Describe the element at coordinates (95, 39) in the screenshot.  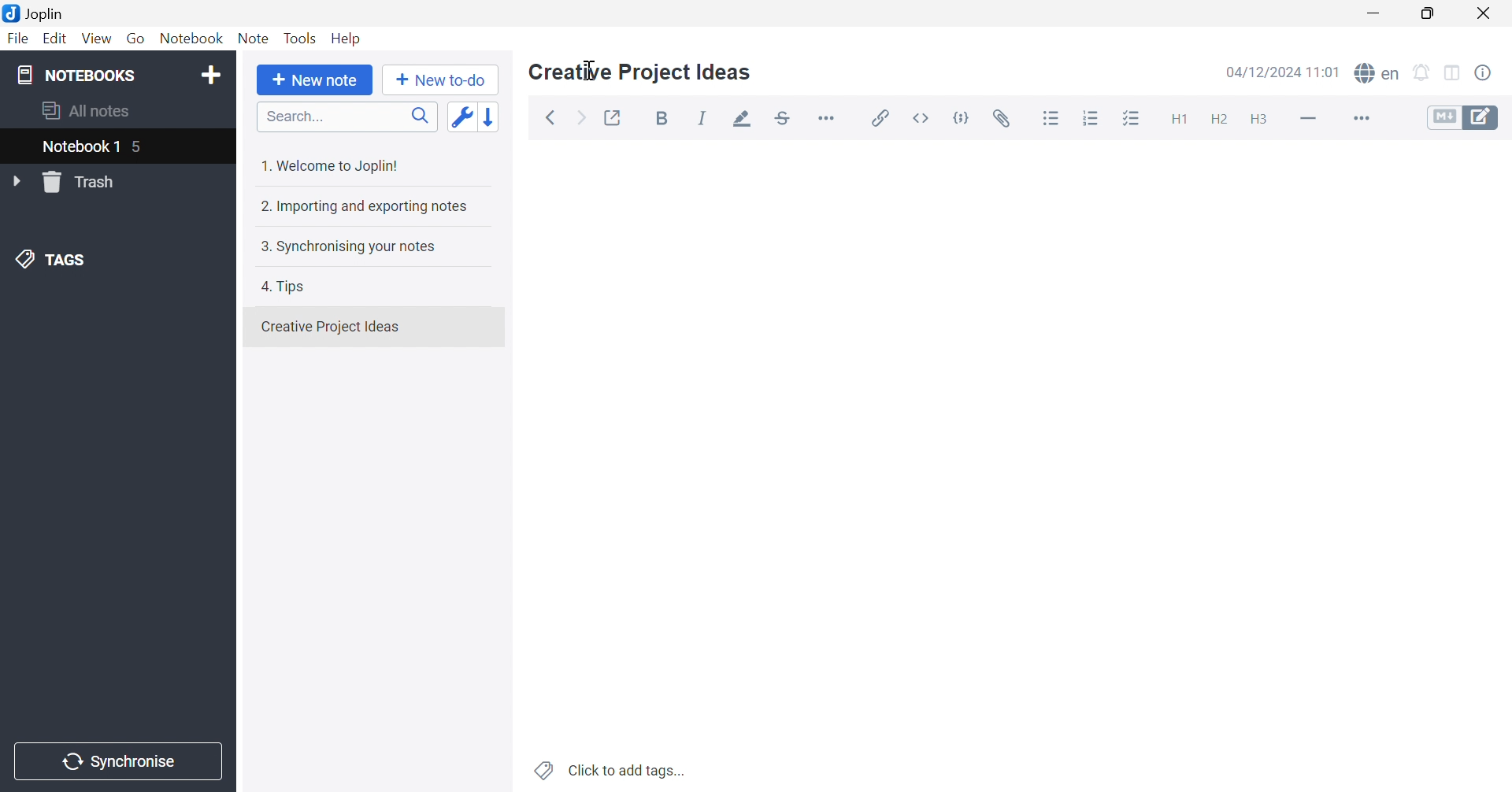
I see `View` at that location.